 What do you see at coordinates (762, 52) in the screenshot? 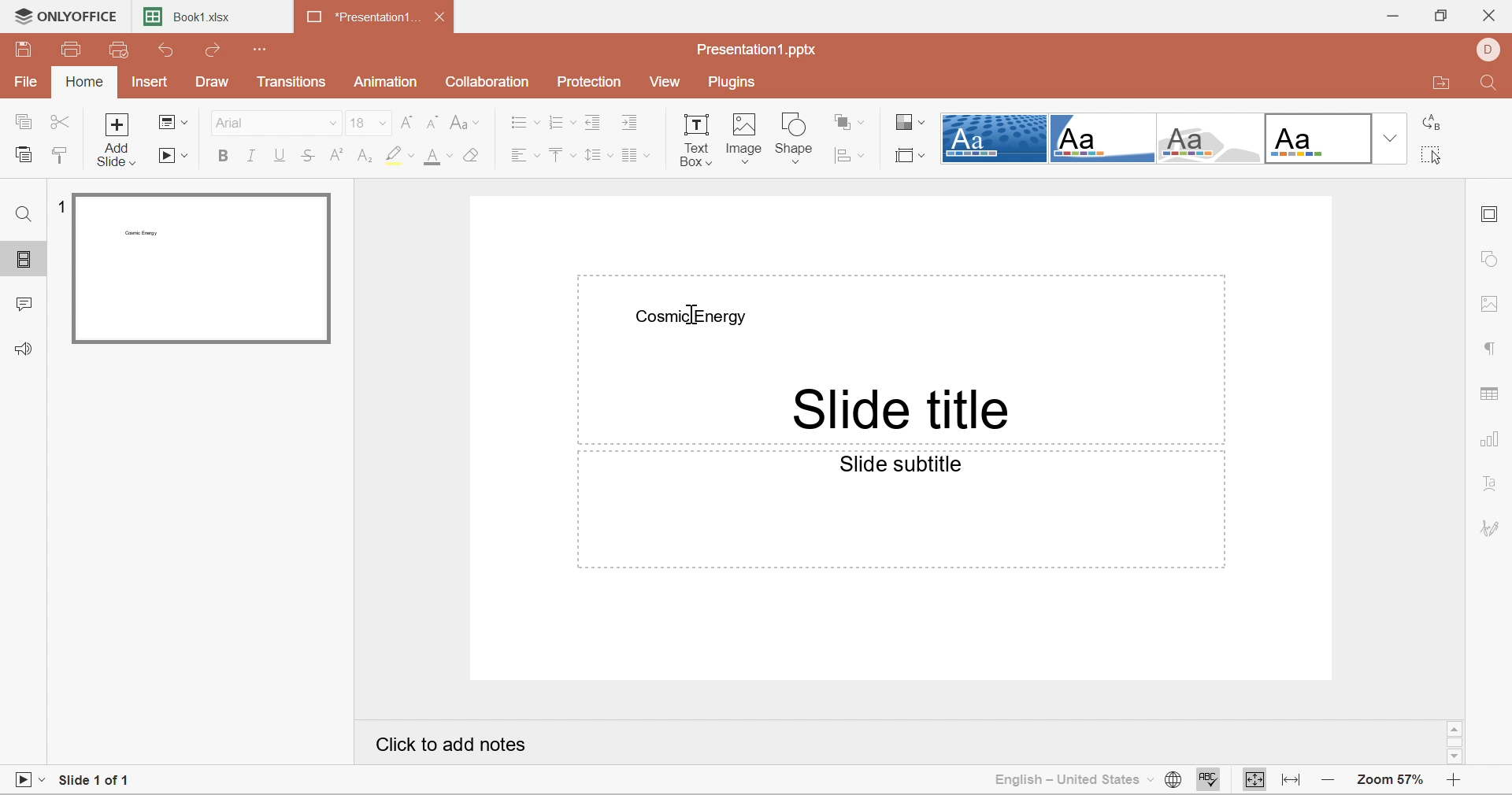
I see `Presentation1.pptx` at bounding box center [762, 52].